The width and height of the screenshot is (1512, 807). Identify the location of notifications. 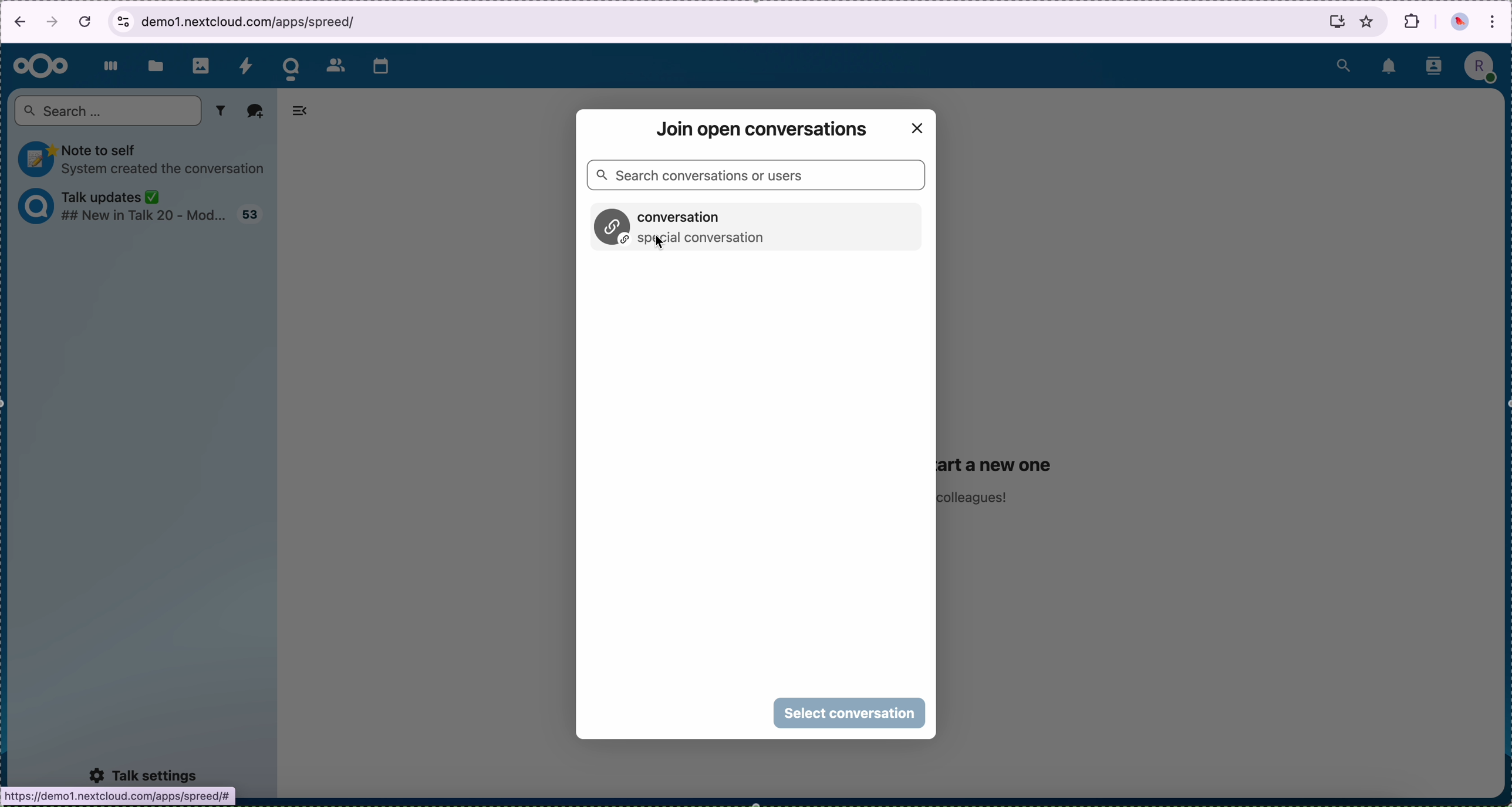
(1389, 67).